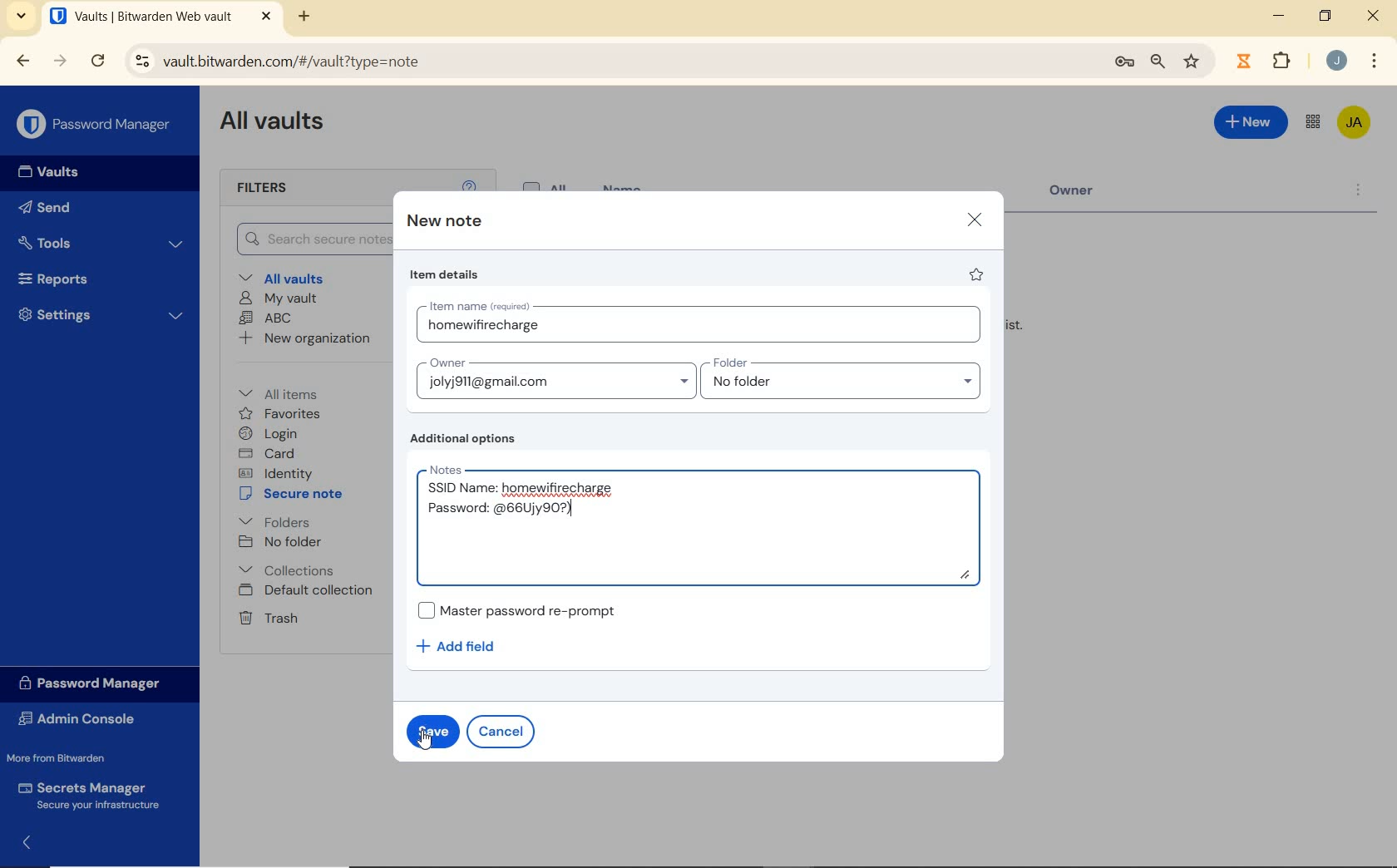 Image resolution: width=1397 pixels, height=868 pixels. What do you see at coordinates (281, 189) in the screenshot?
I see `Filters` at bounding box center [281, 189].